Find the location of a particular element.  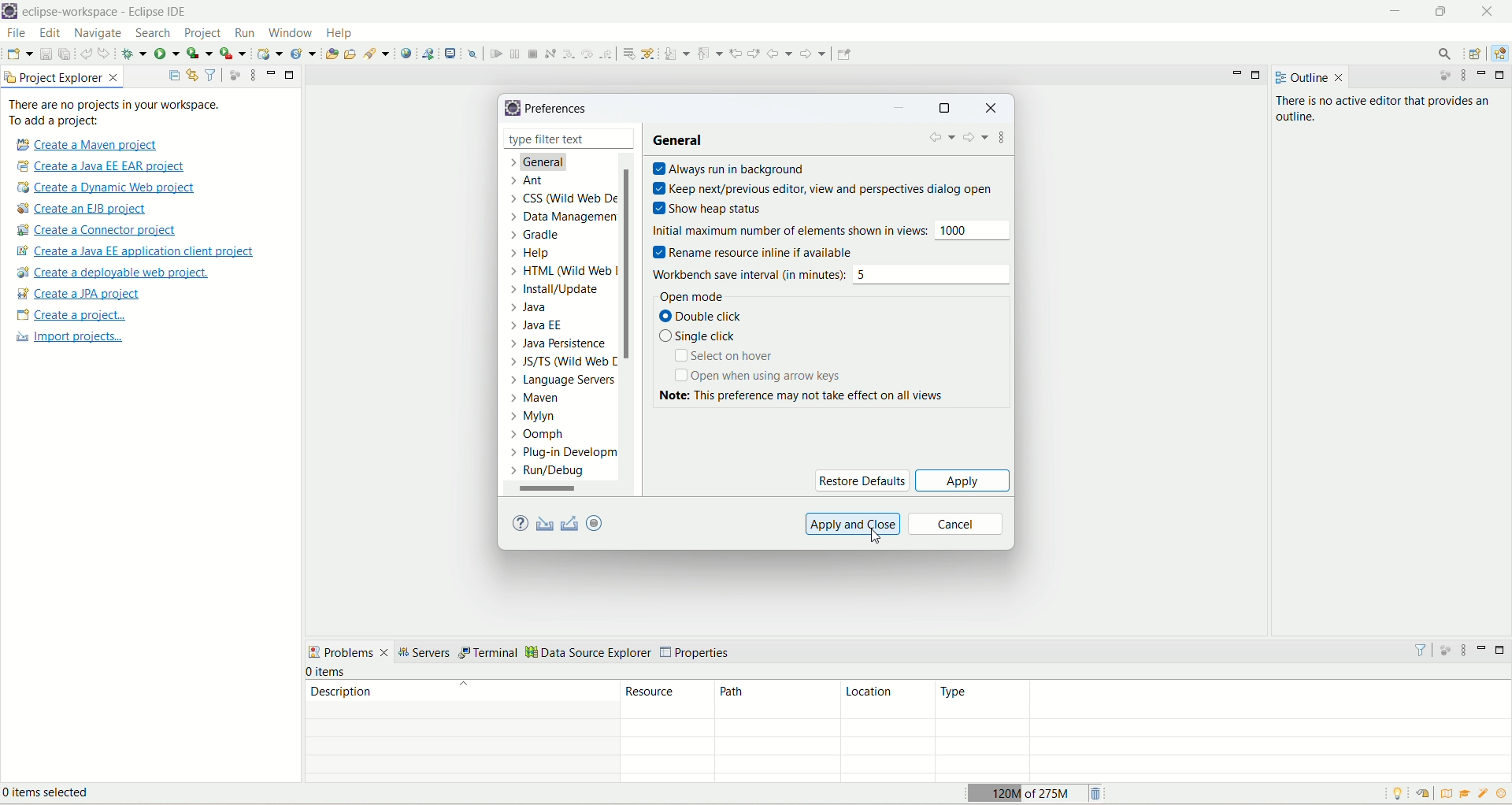

previous edit location is located at coordinates (736, 54).